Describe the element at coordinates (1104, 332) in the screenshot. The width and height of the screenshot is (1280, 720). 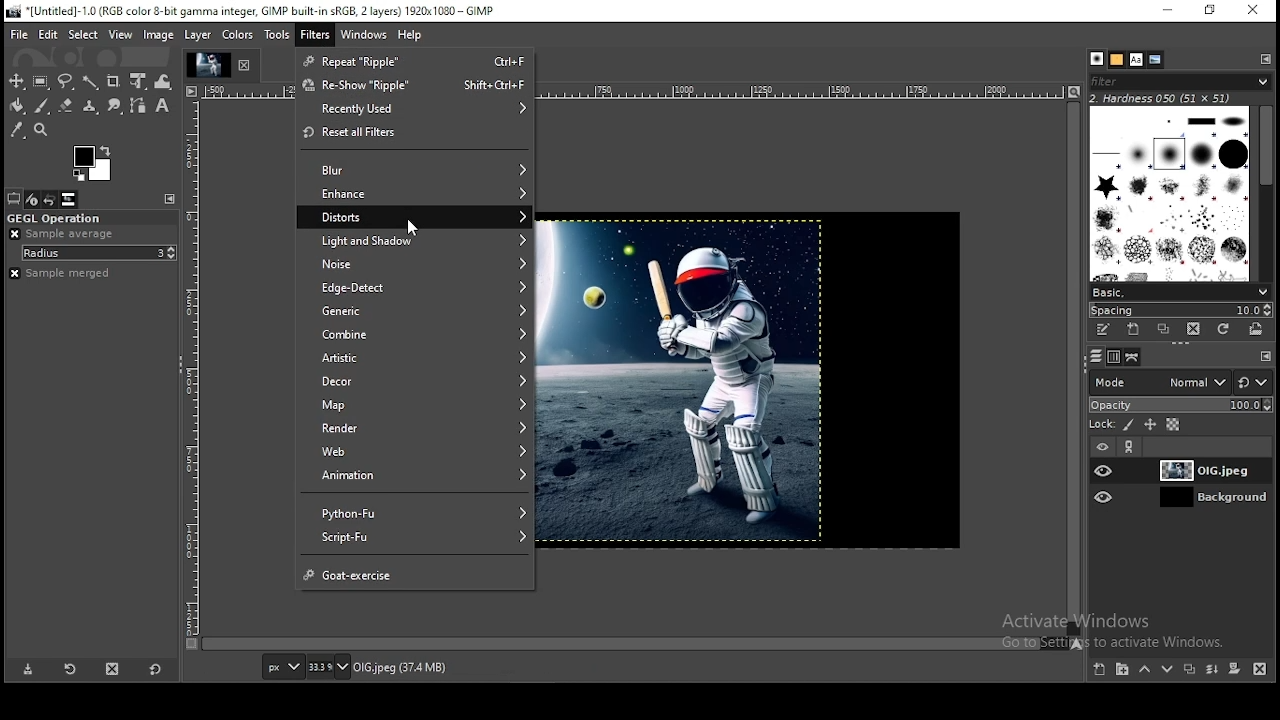
I see `edit this brush` at that location.